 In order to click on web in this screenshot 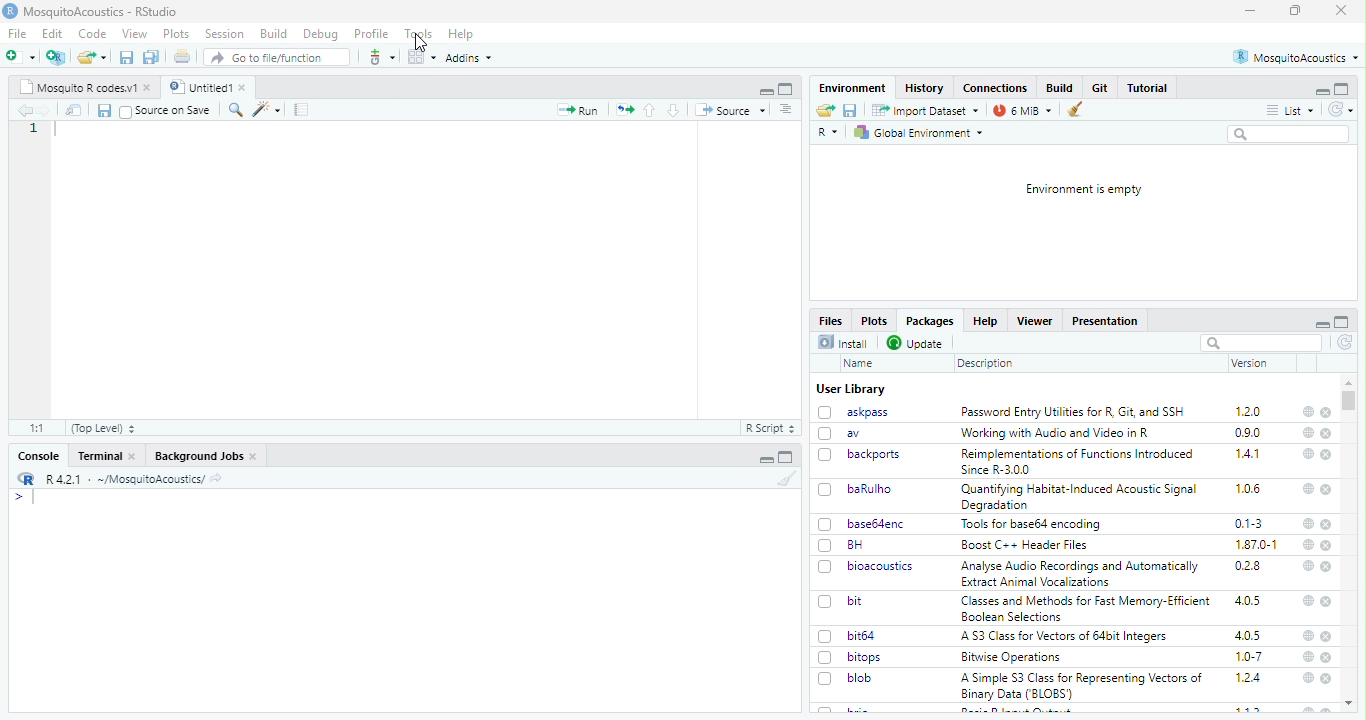, I will do `click(1309, 636)`.